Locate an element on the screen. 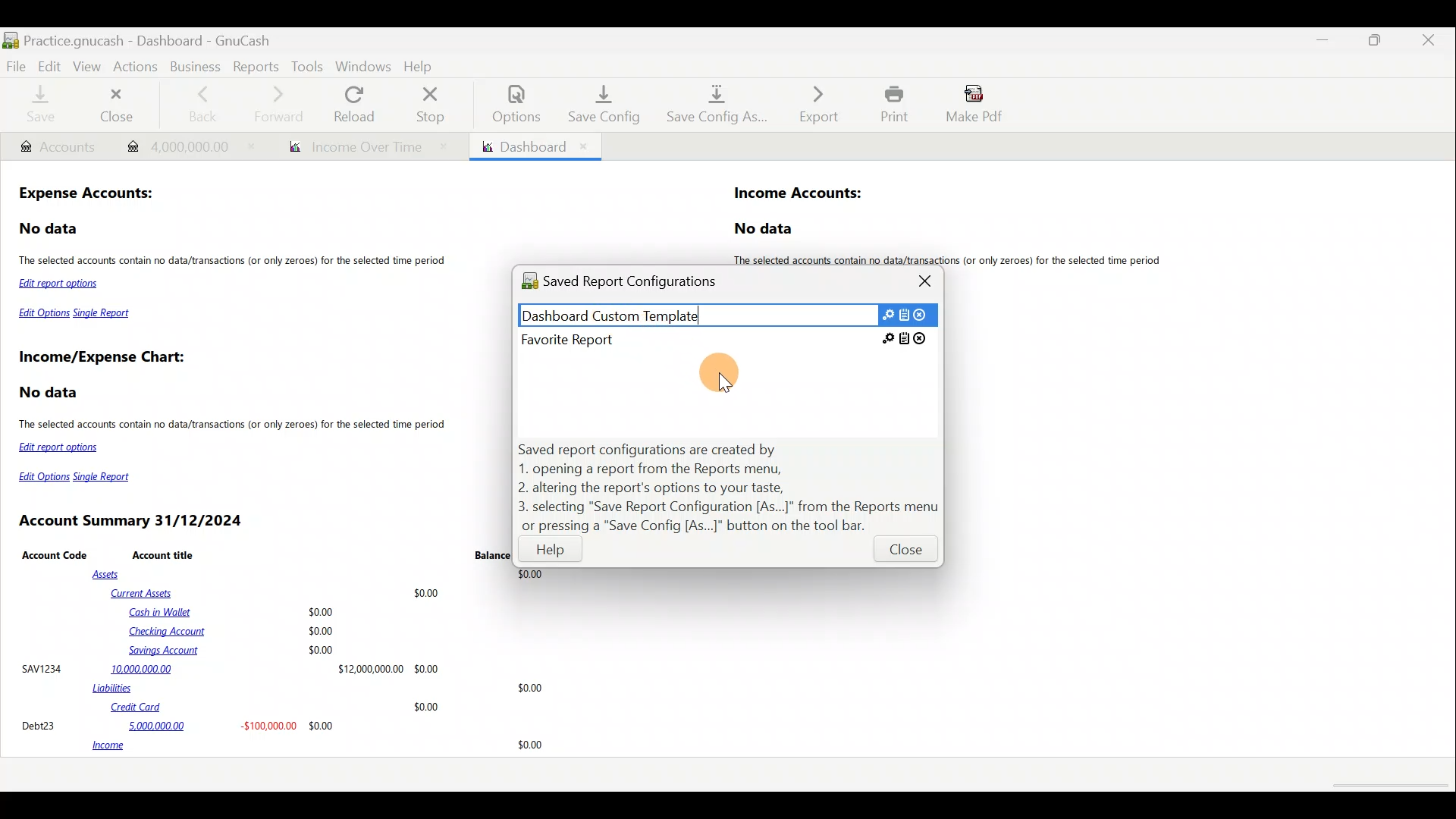 This screenshot has width=1456, height=819. Assets $0.00 is located at coordinates (322, 575).